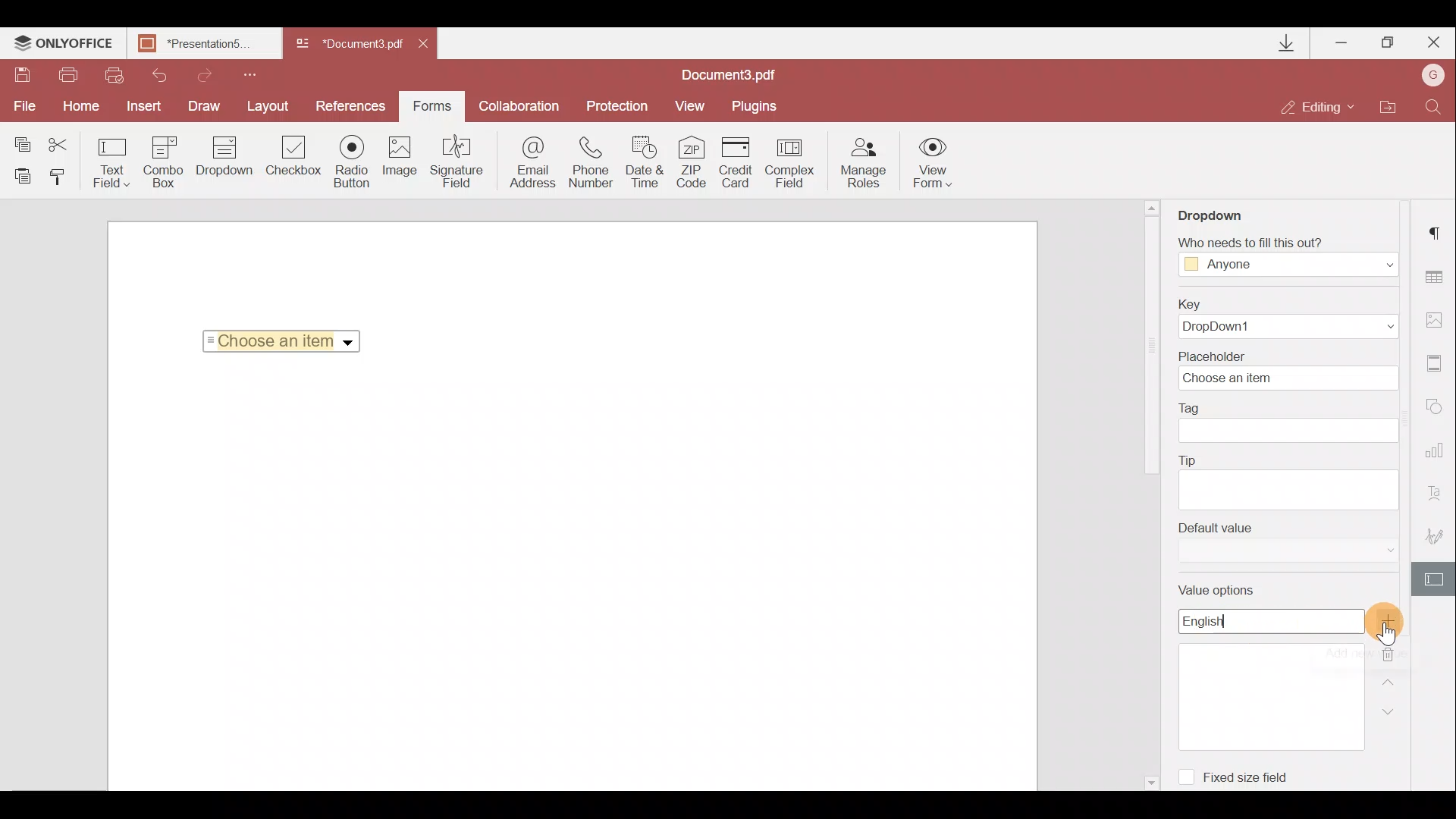 The height and width of the screenshot is (819, 1456). Describe the element at coordinates (201, 45) in the screenshot. I see `Presentation5` at that location.